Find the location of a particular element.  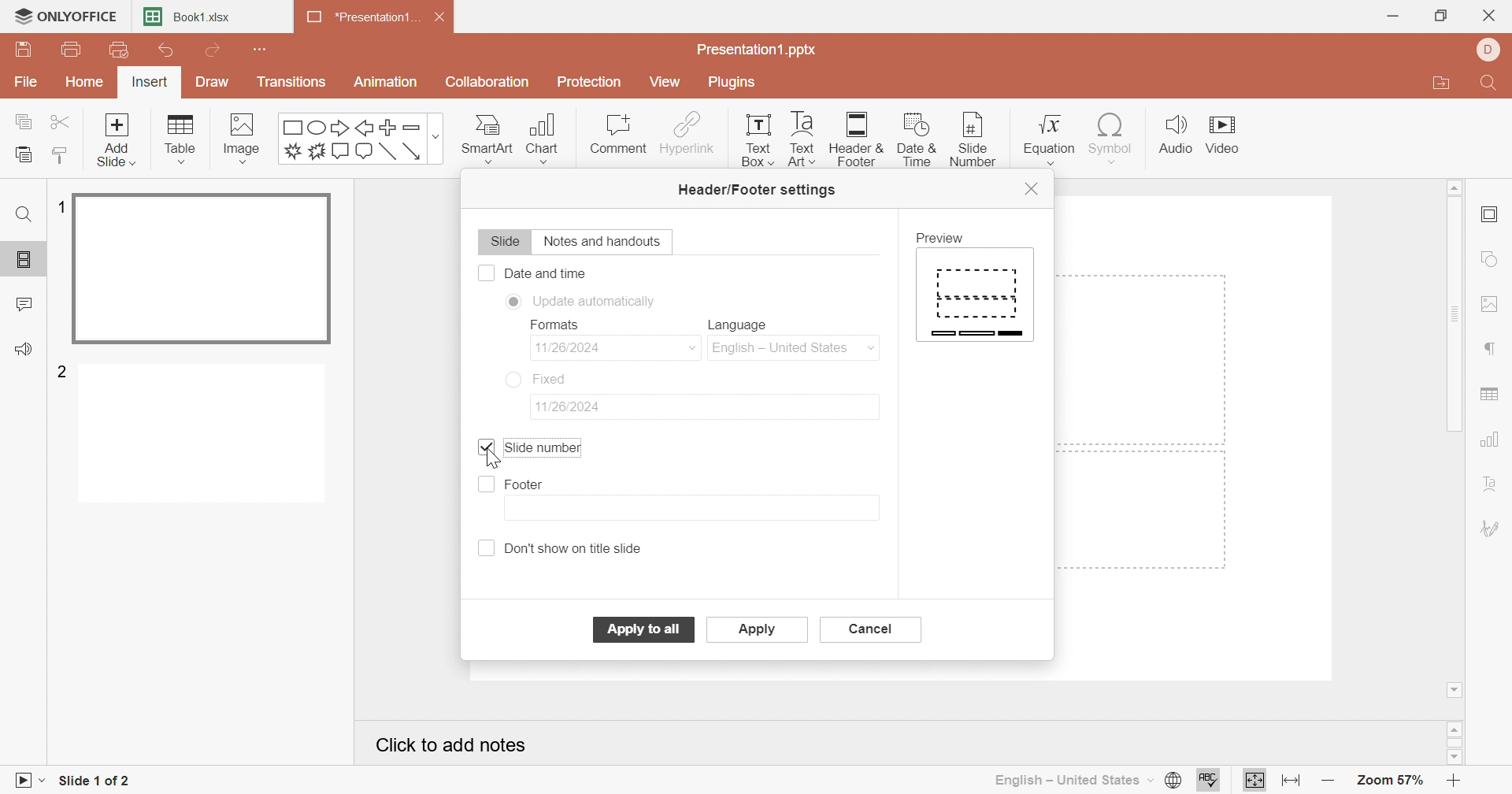

Image settings is located at coordinates (1494, 306).